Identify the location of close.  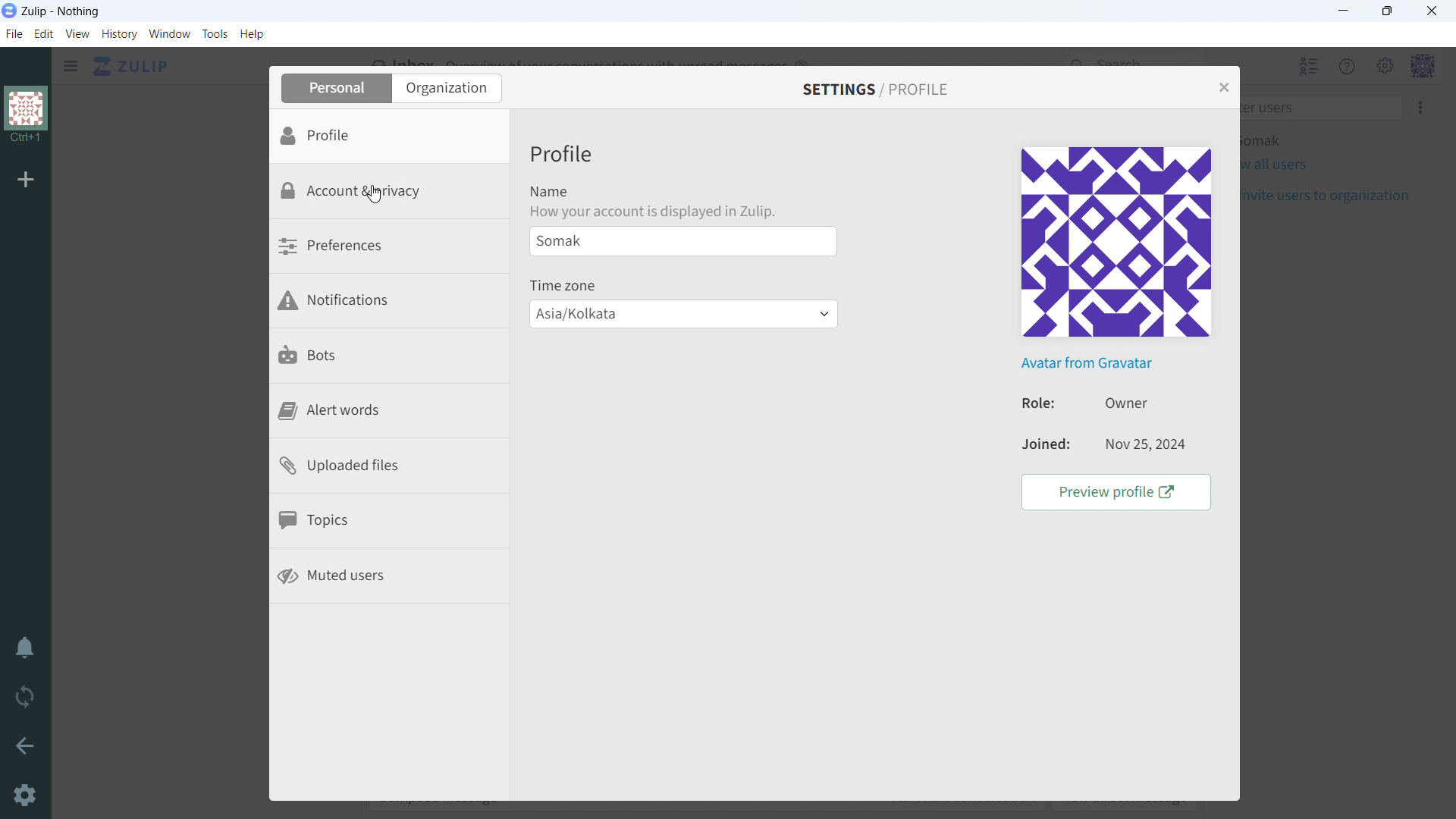
(1223, 87).